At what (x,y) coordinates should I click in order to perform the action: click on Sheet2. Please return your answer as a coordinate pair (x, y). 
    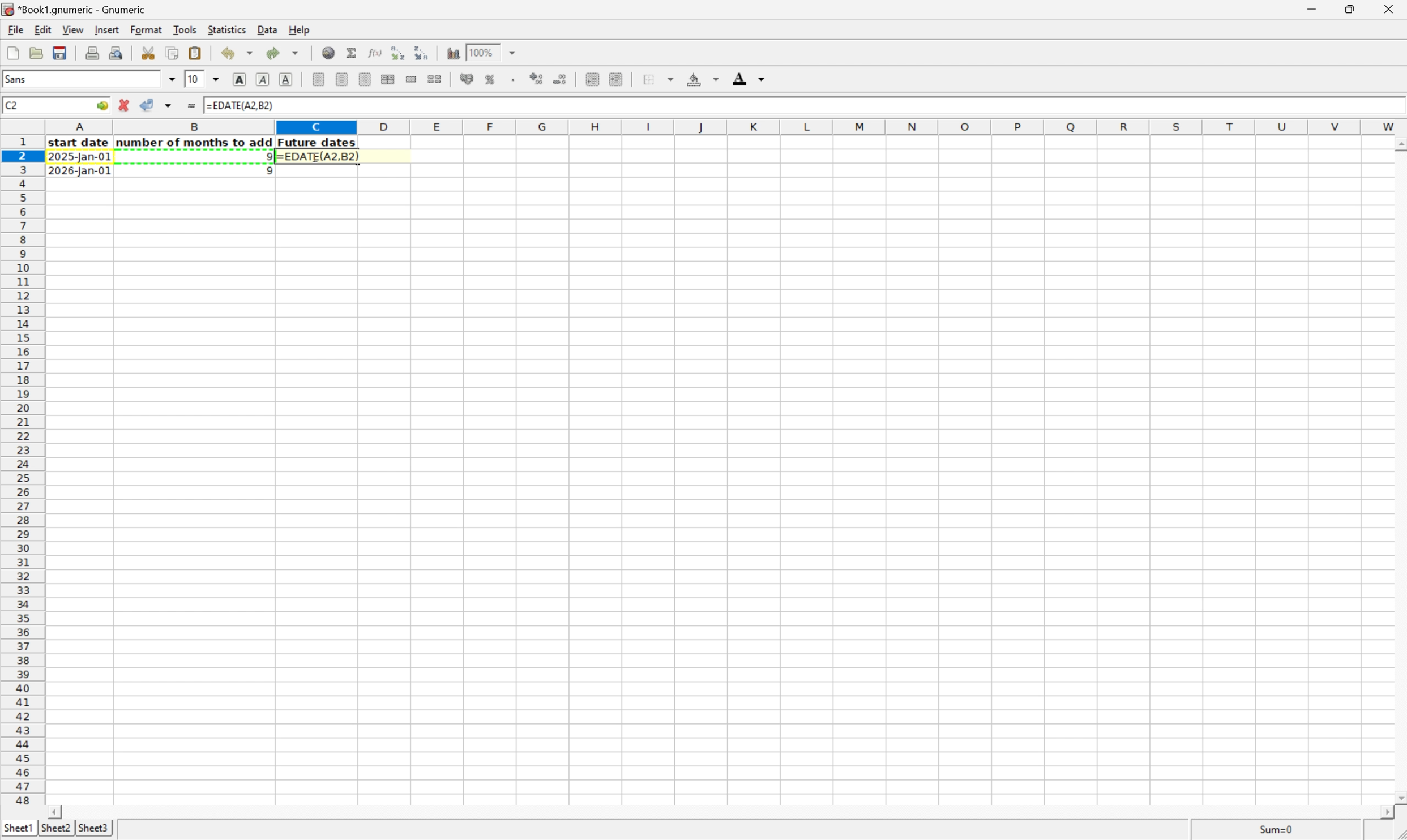
    Looking at the image, I should click on (55, 828).